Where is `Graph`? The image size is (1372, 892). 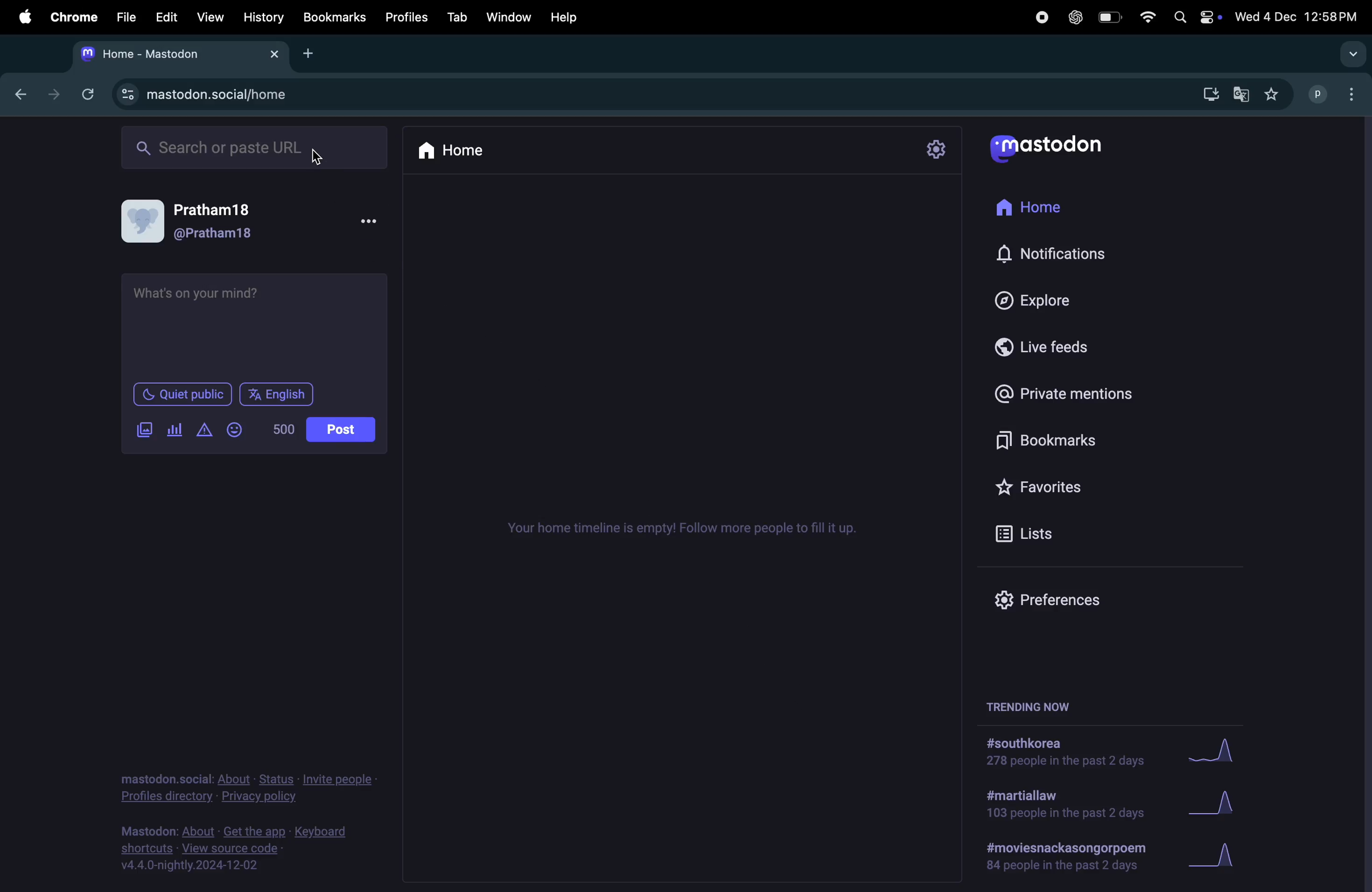 Graph is located at coordinates (1215, 803).